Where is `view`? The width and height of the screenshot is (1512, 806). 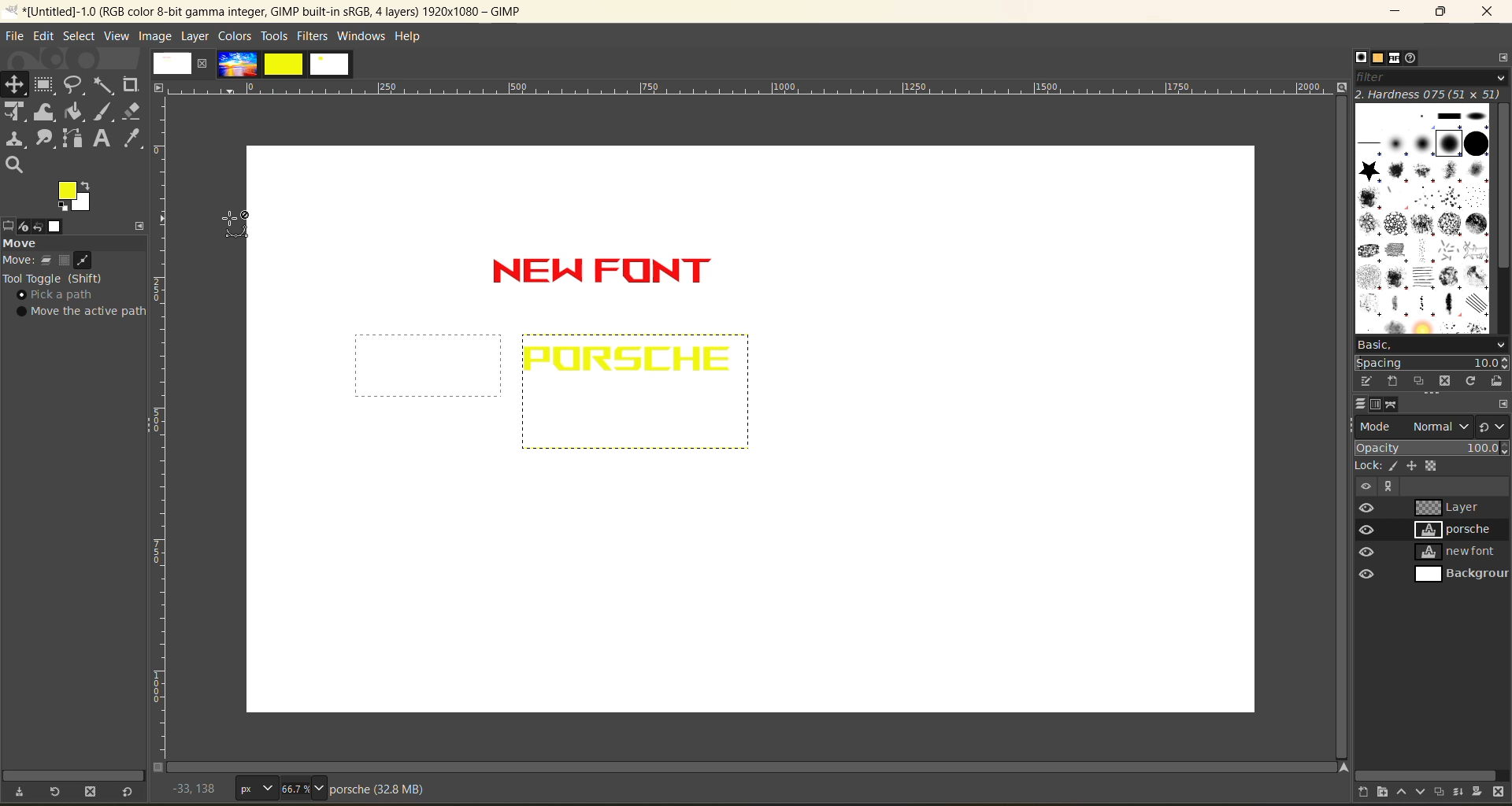 view is located at coordinates (116, 38).